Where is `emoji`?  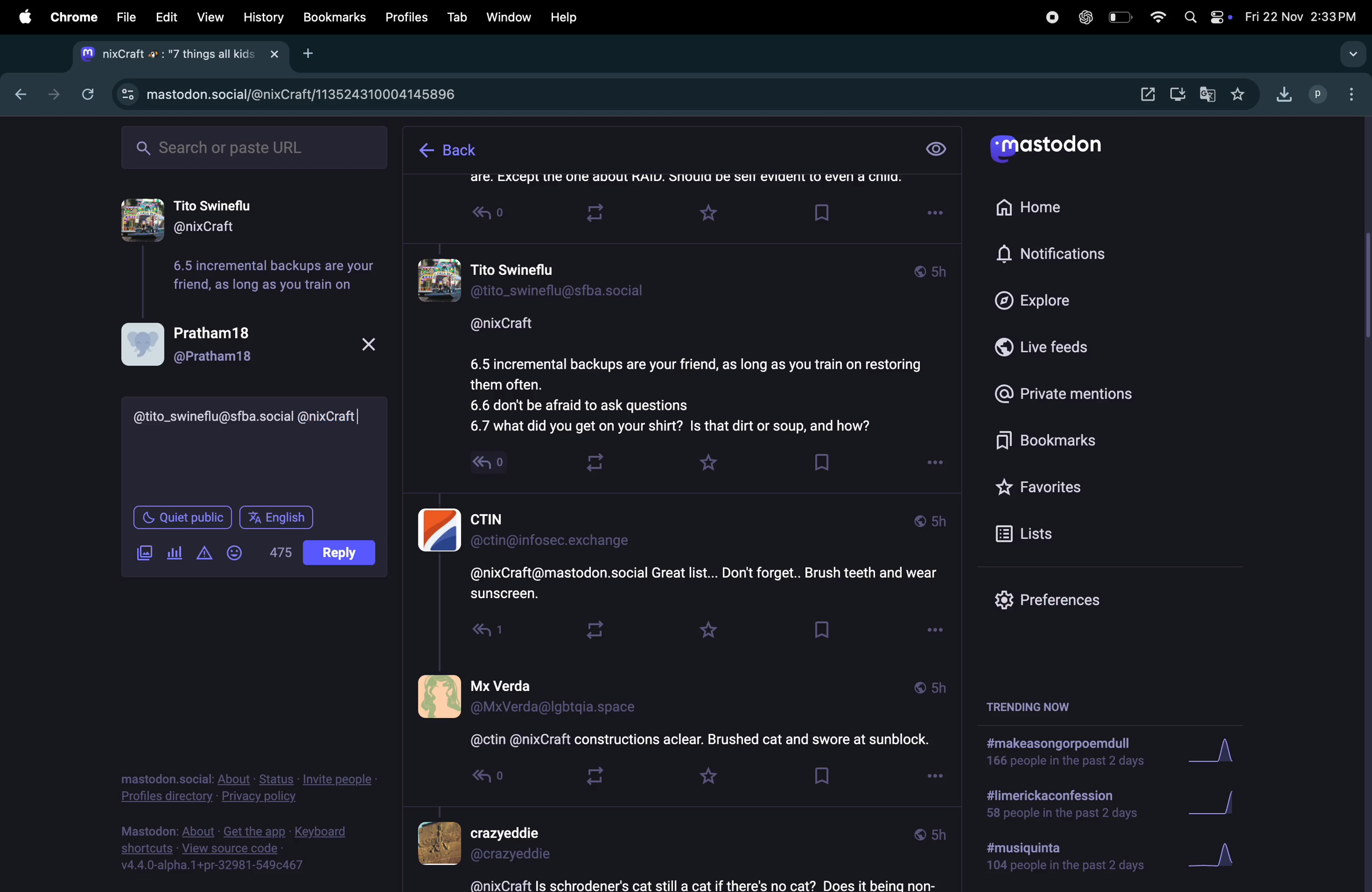
emoji is located at coordinates (244, 553).